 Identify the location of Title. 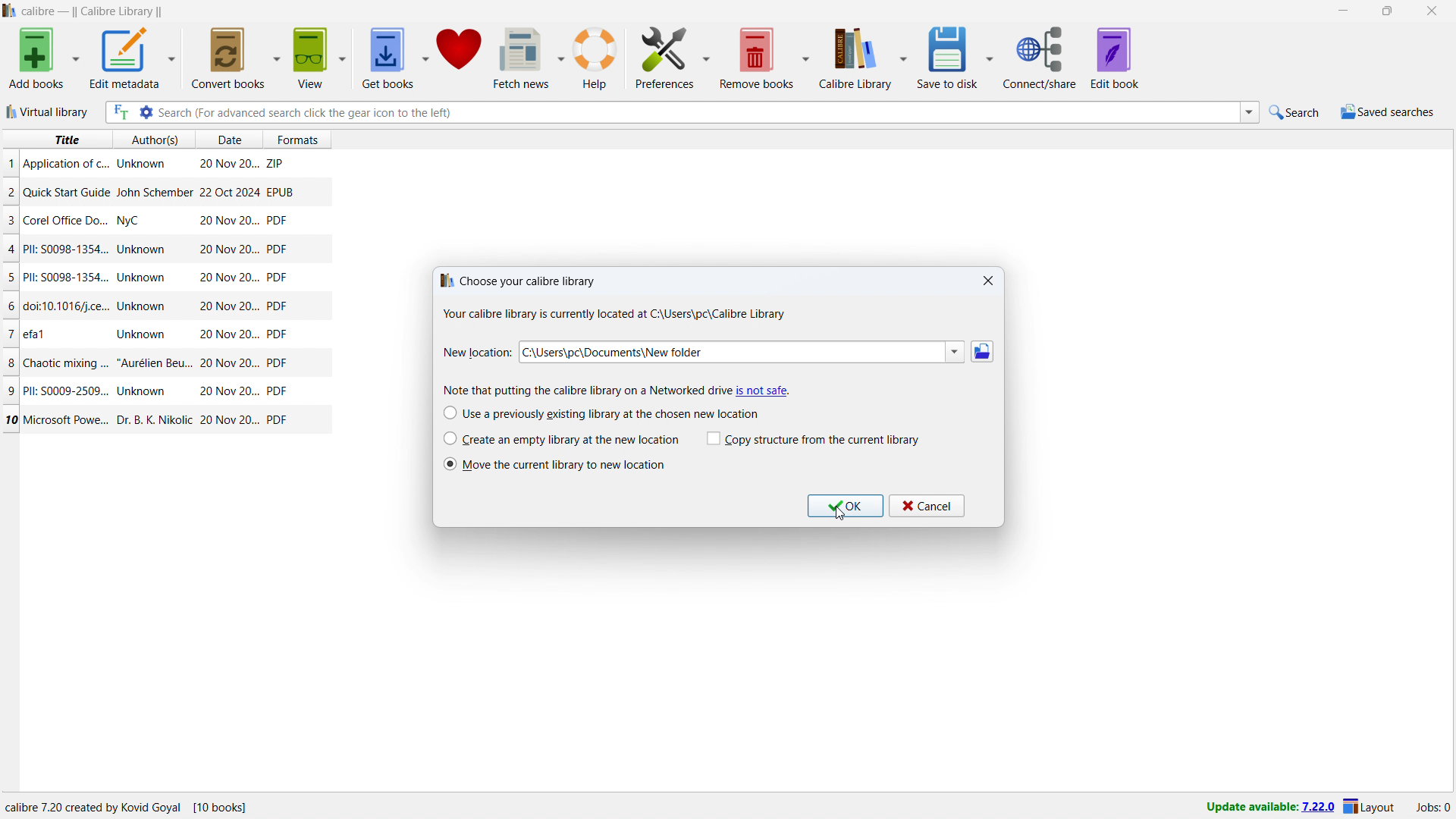
(70, 220).